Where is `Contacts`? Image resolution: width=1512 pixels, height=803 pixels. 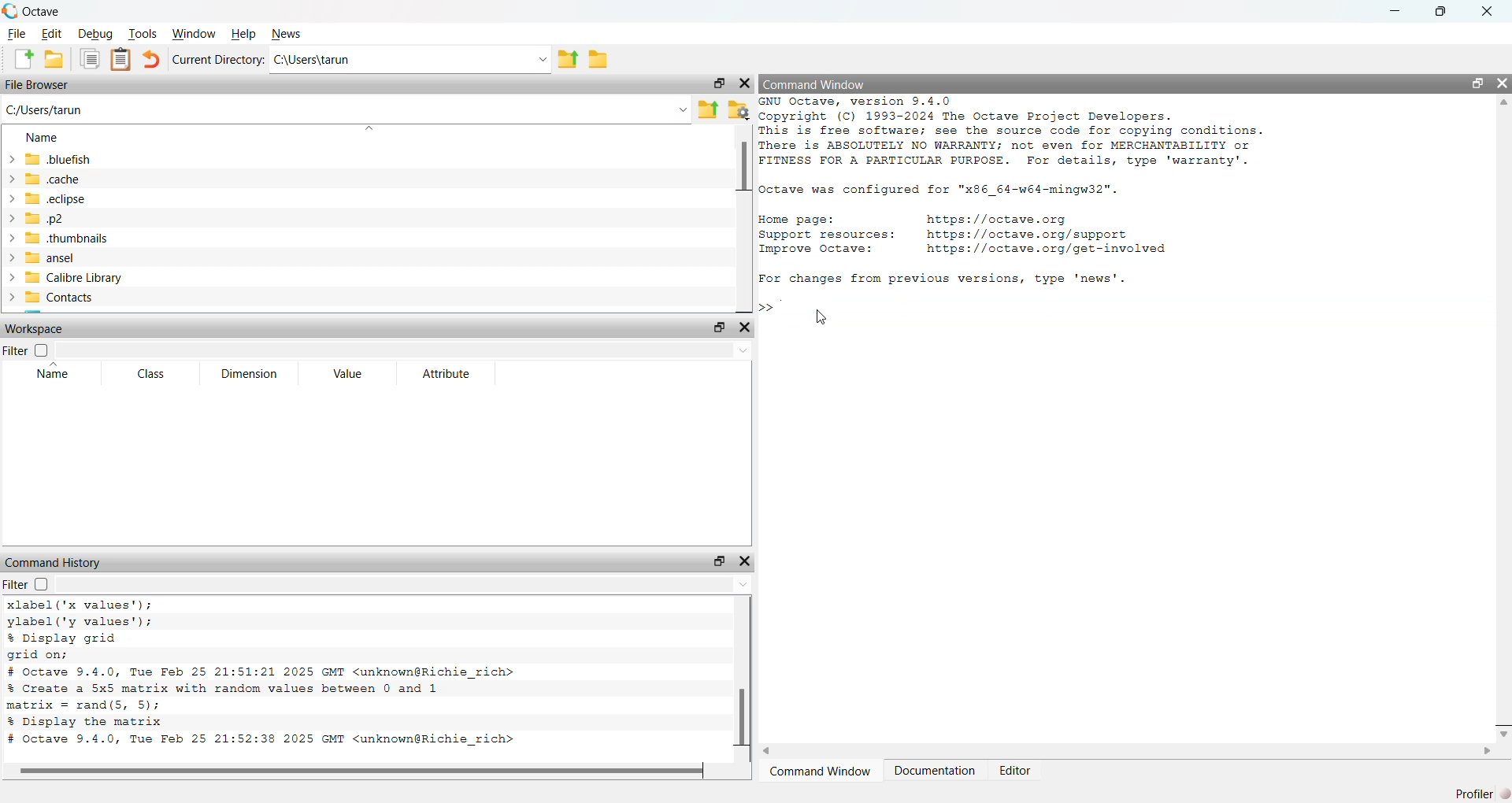
Contacts is located at coordinates (74, 298).